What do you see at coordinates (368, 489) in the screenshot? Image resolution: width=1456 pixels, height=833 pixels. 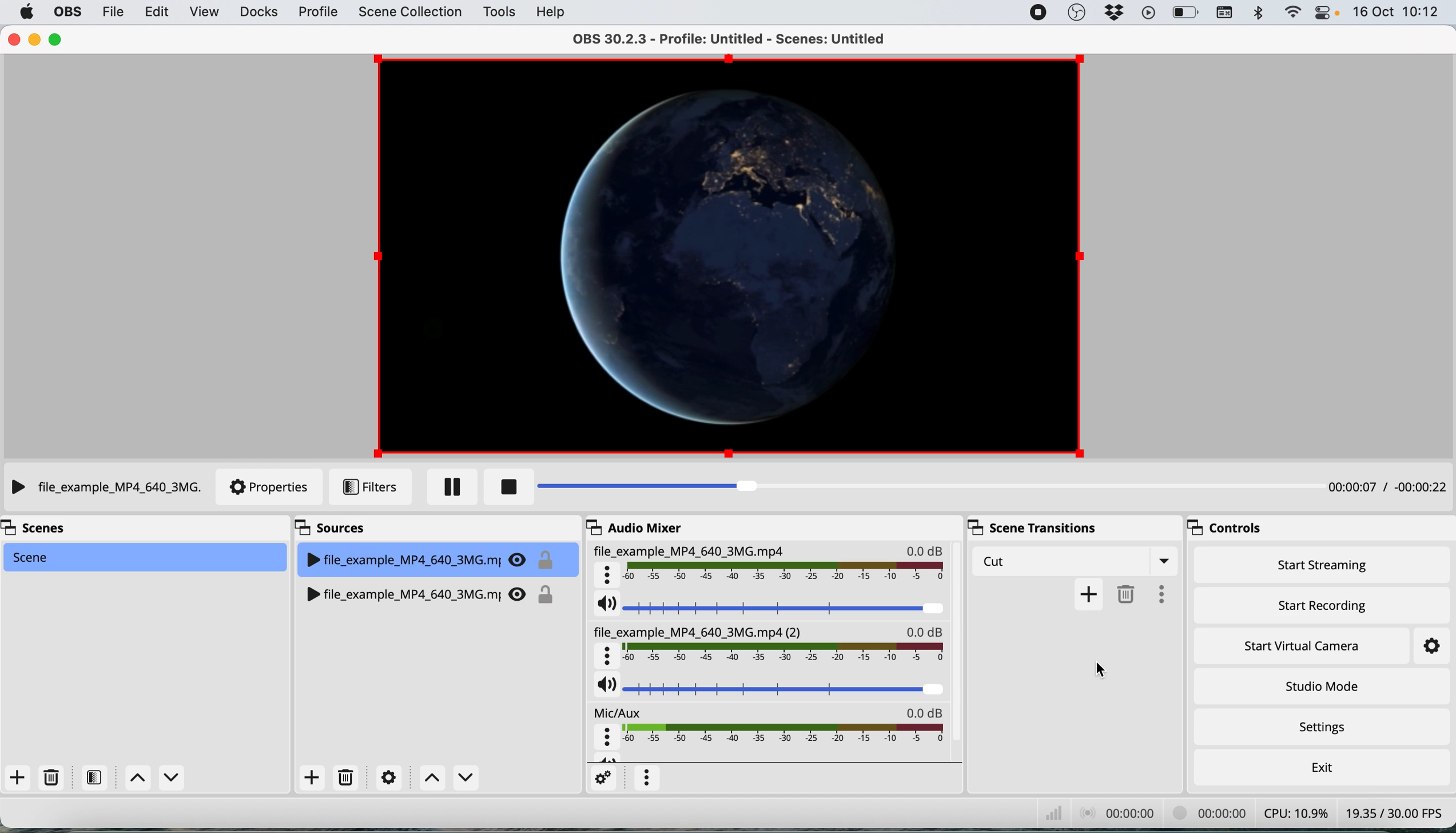 I see `filters` at bounding box center [368, 489].